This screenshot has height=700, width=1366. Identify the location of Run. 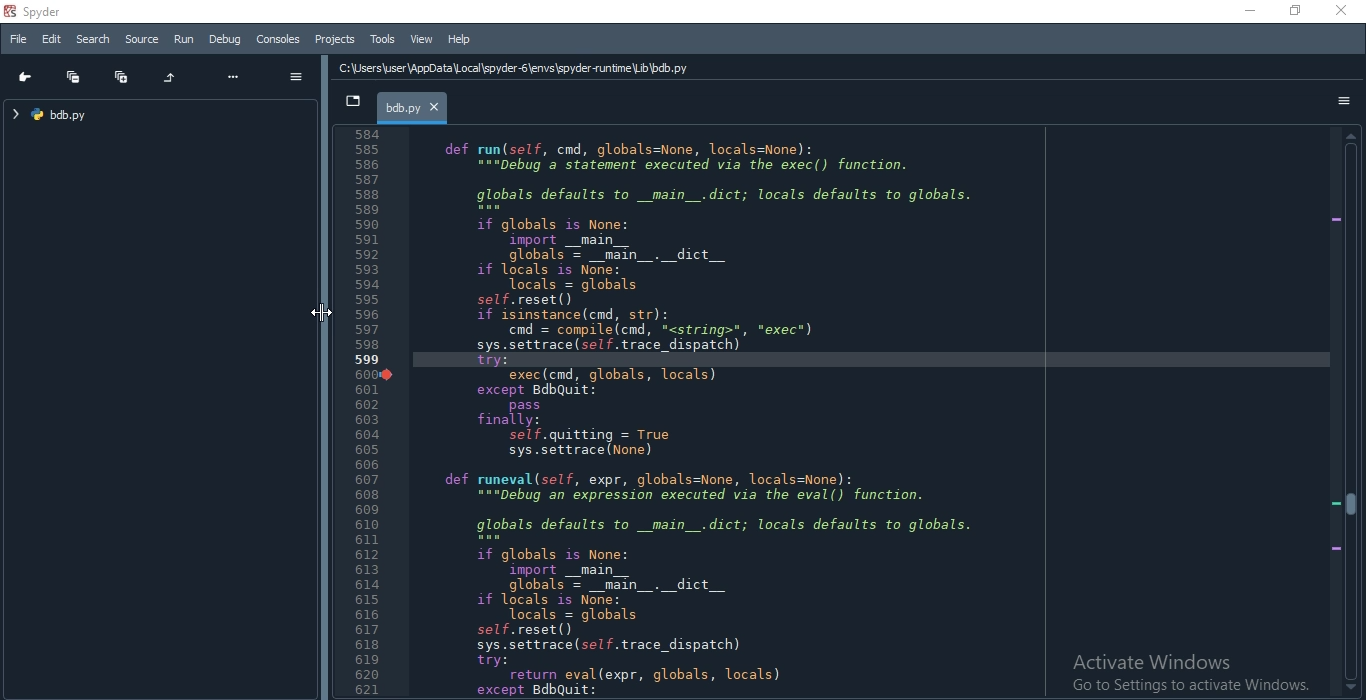
(184, 38).